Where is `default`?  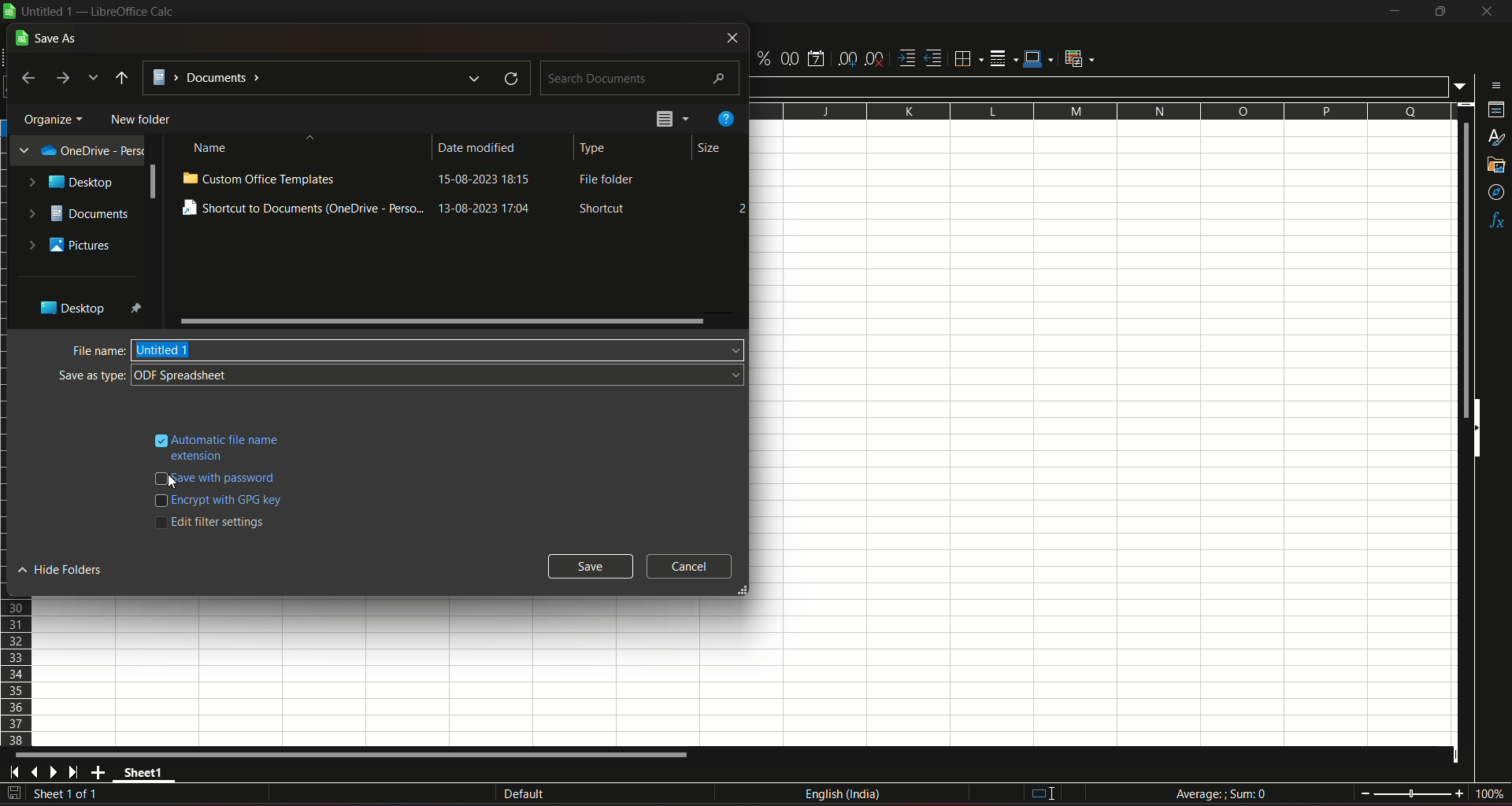
default is located at coordinates (524, 793).